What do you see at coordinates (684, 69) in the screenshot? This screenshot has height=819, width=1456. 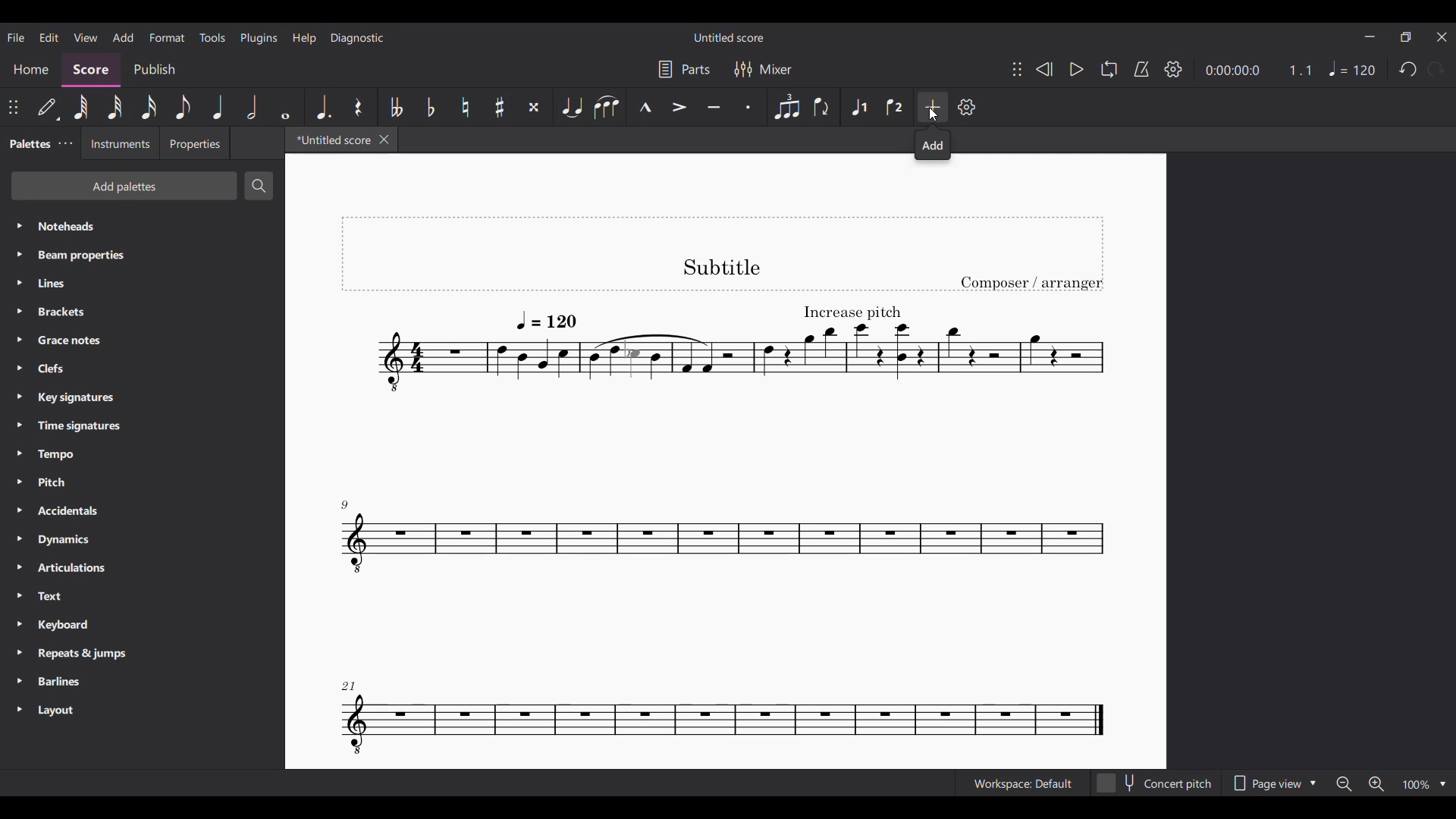 I see `Parts settings` at bounding box center [684, 69].